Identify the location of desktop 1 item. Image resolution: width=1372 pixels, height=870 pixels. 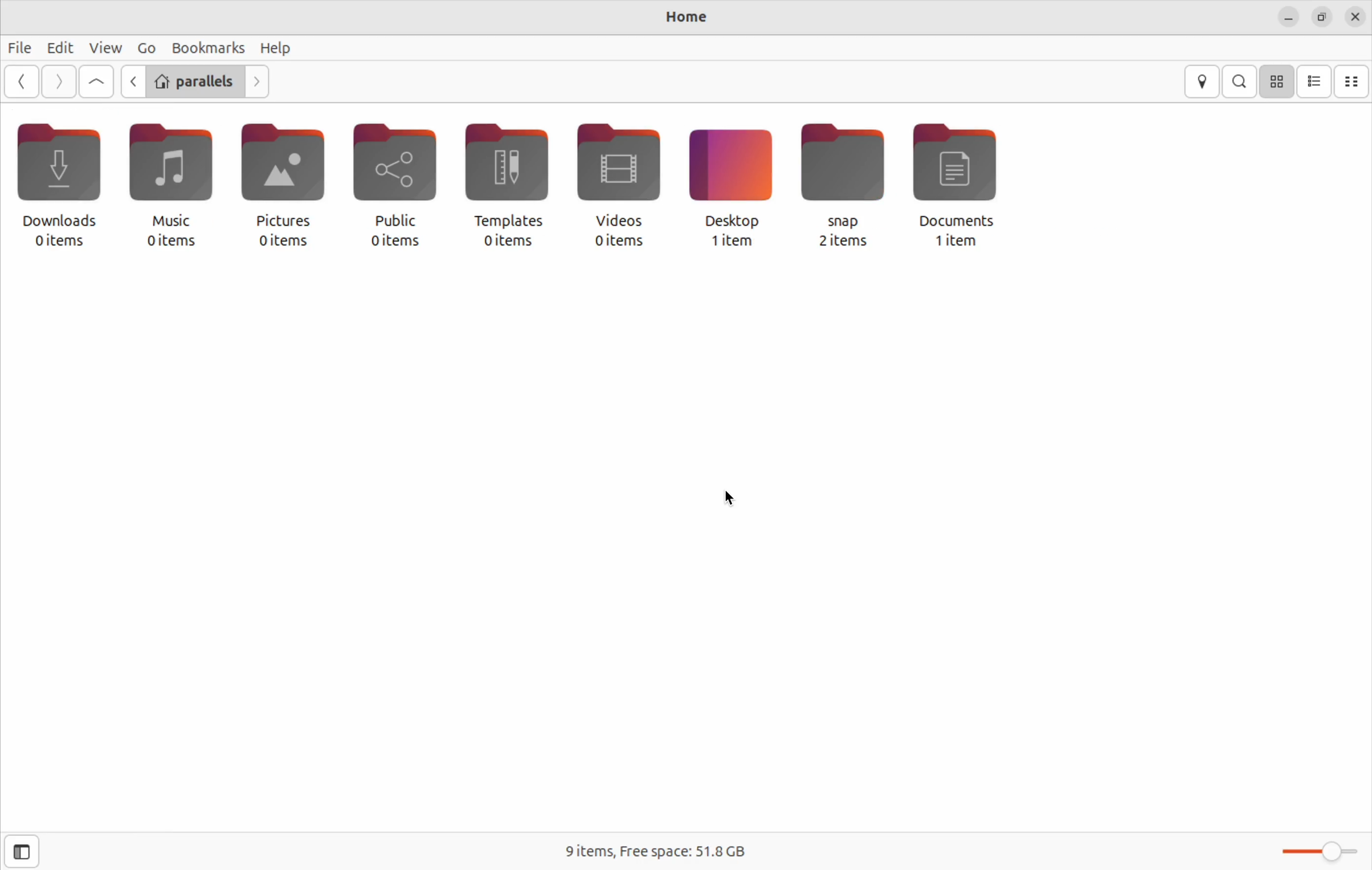
(734, 186).